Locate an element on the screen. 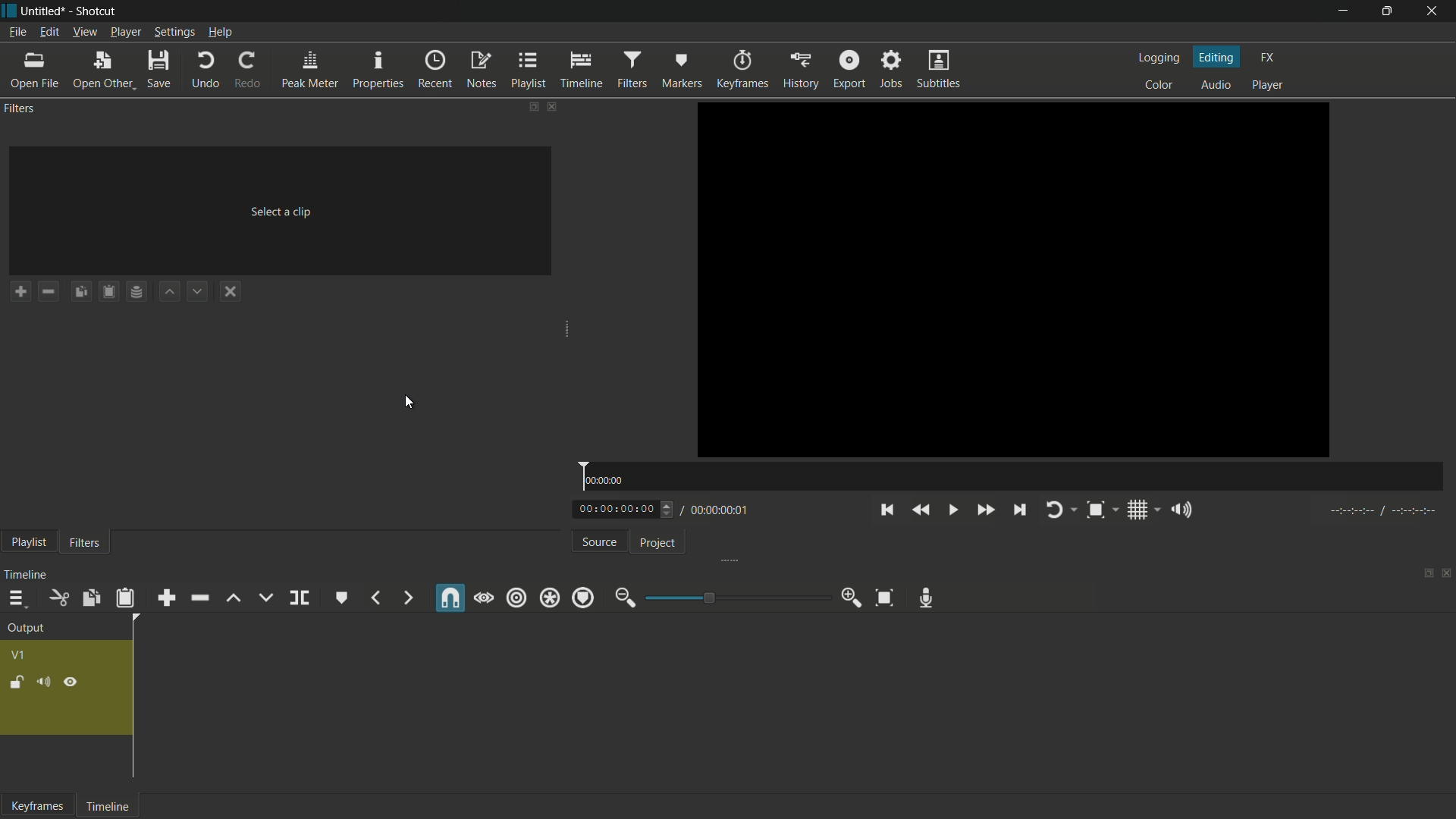 The image size is (1456, 819). quickly play backward is located at coordinates (921, 510).